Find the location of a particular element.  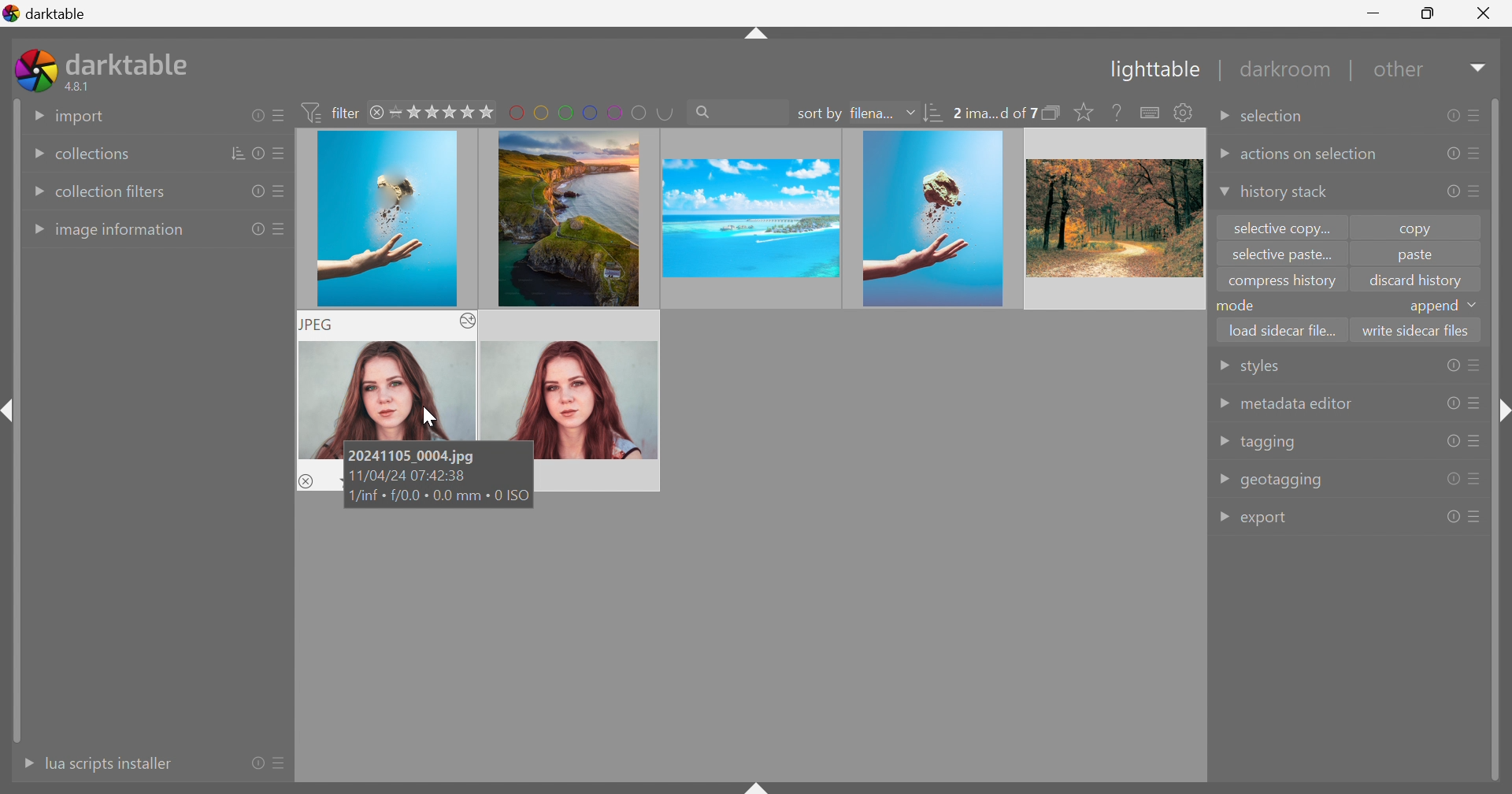

Drop Down is located at coordinates (1222, 154).